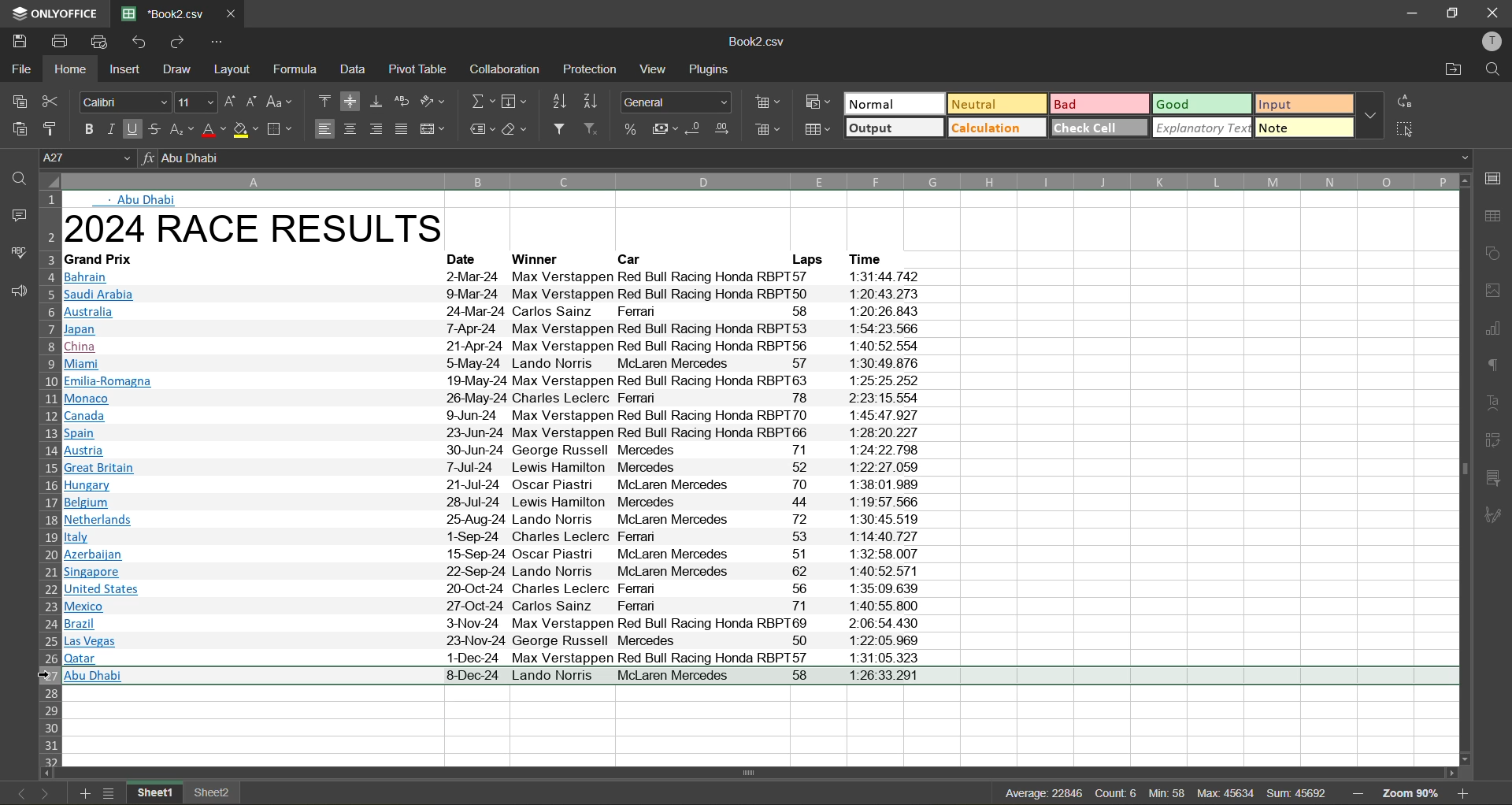 This screenshot has height=805, width=1512. Describe the element at coordinates (178, 71) in the screenshot. I see `draw` at that location.